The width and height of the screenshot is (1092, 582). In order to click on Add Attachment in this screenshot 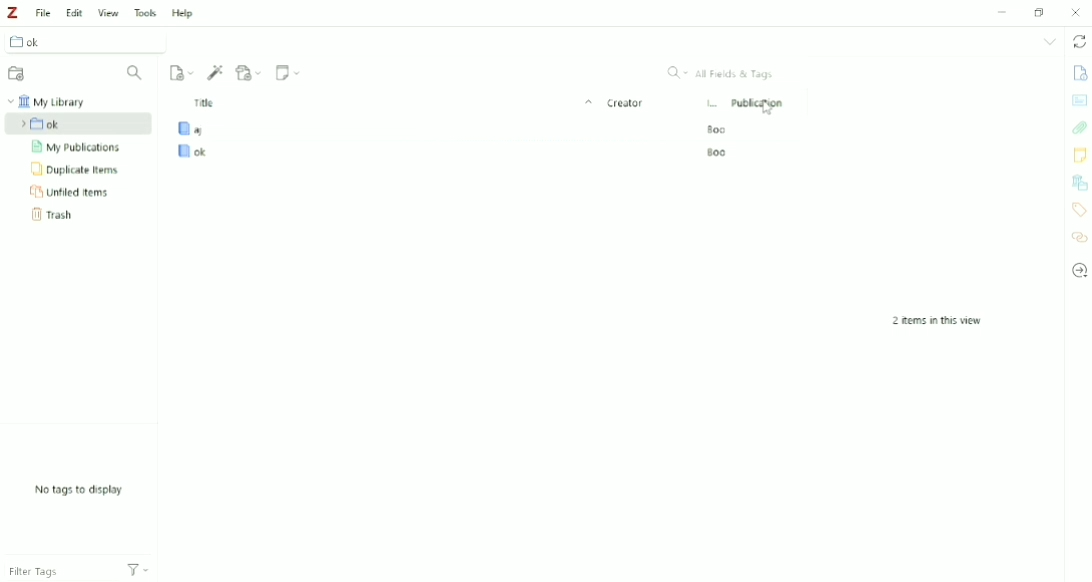, I will do `click(250, 73)`.